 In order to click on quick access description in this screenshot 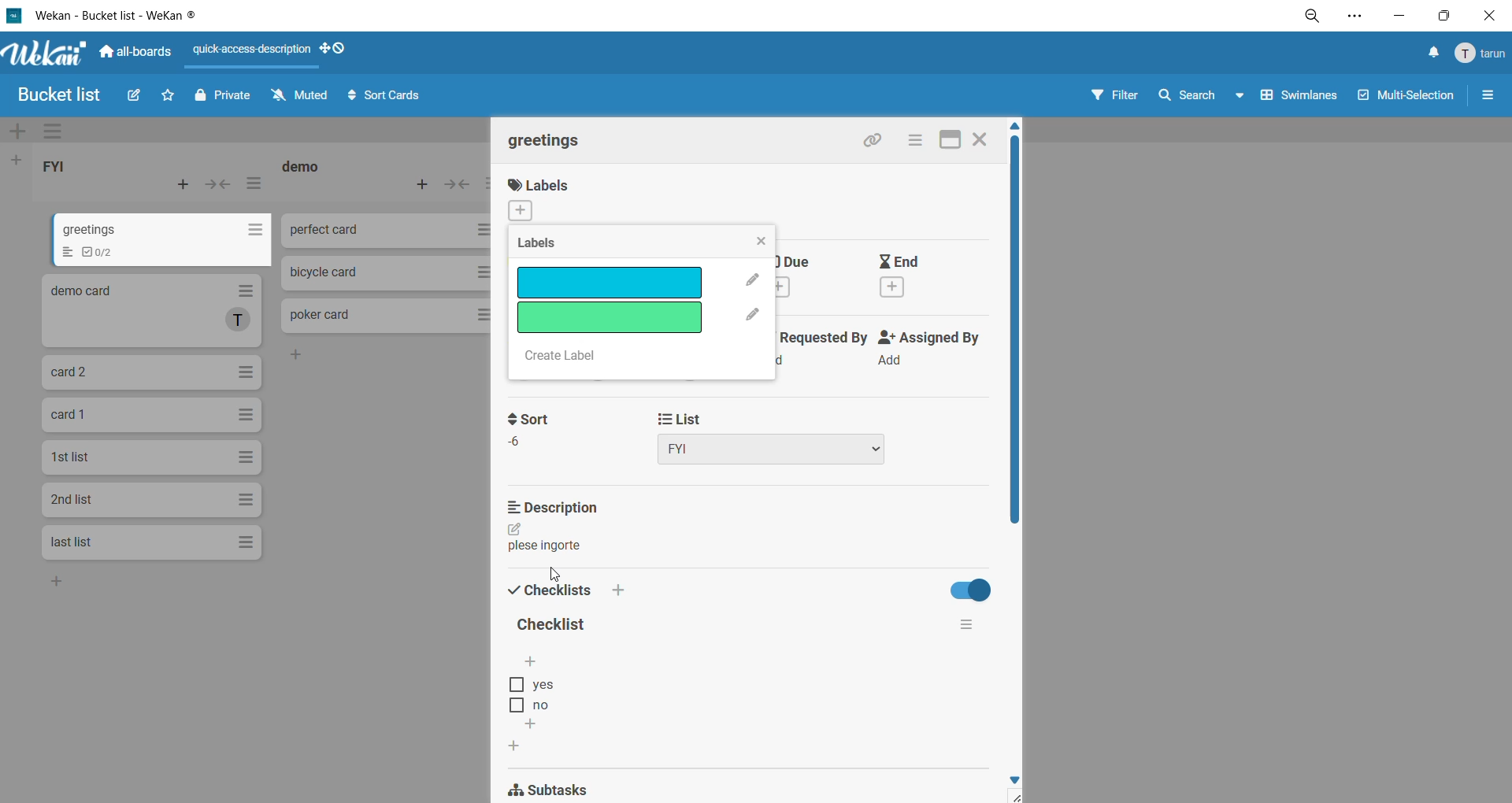, I will do `click(254, 49)`.